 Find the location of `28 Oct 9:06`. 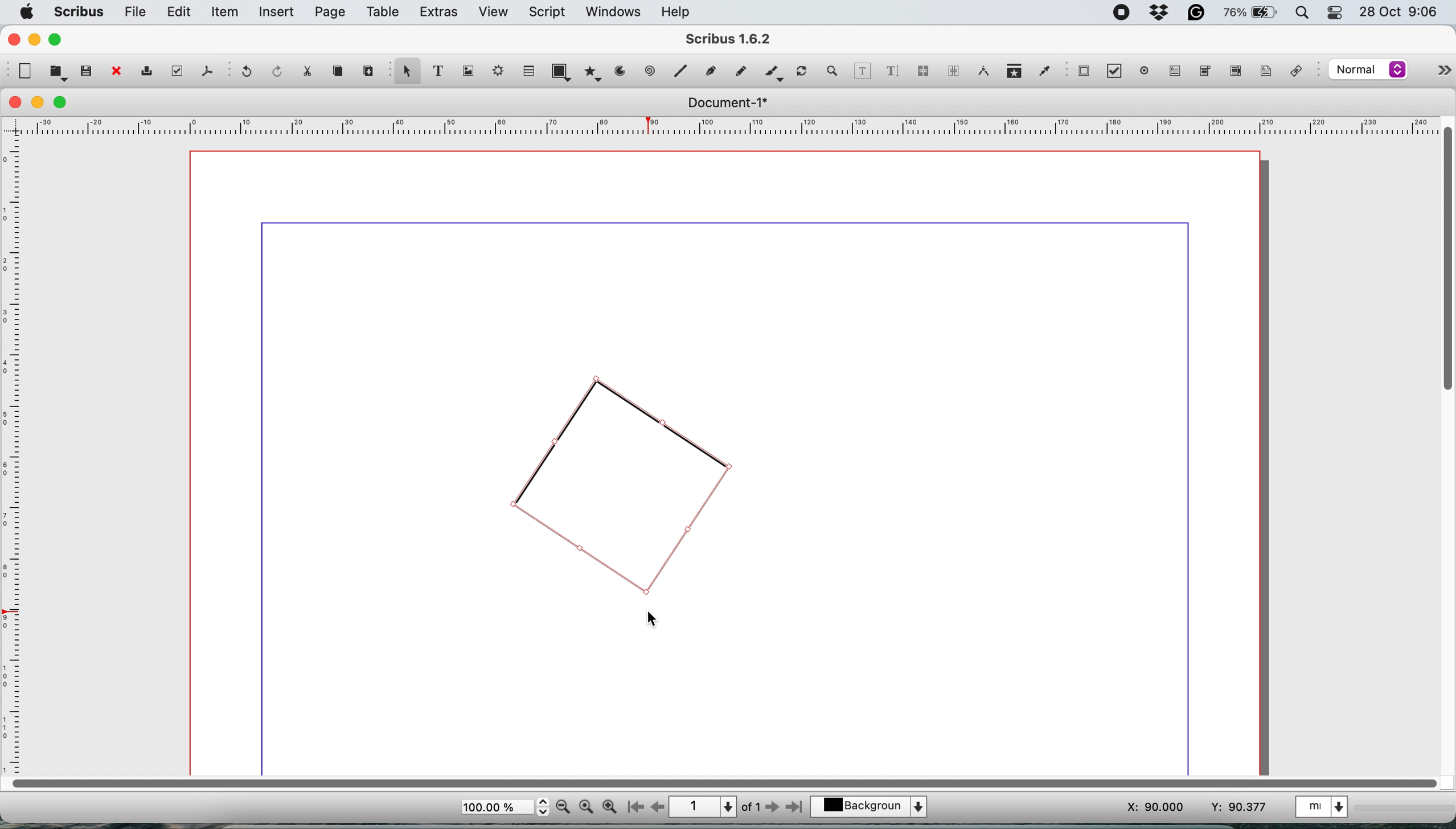

28 Oct 9:06 is located at coordinates (1396, 11).